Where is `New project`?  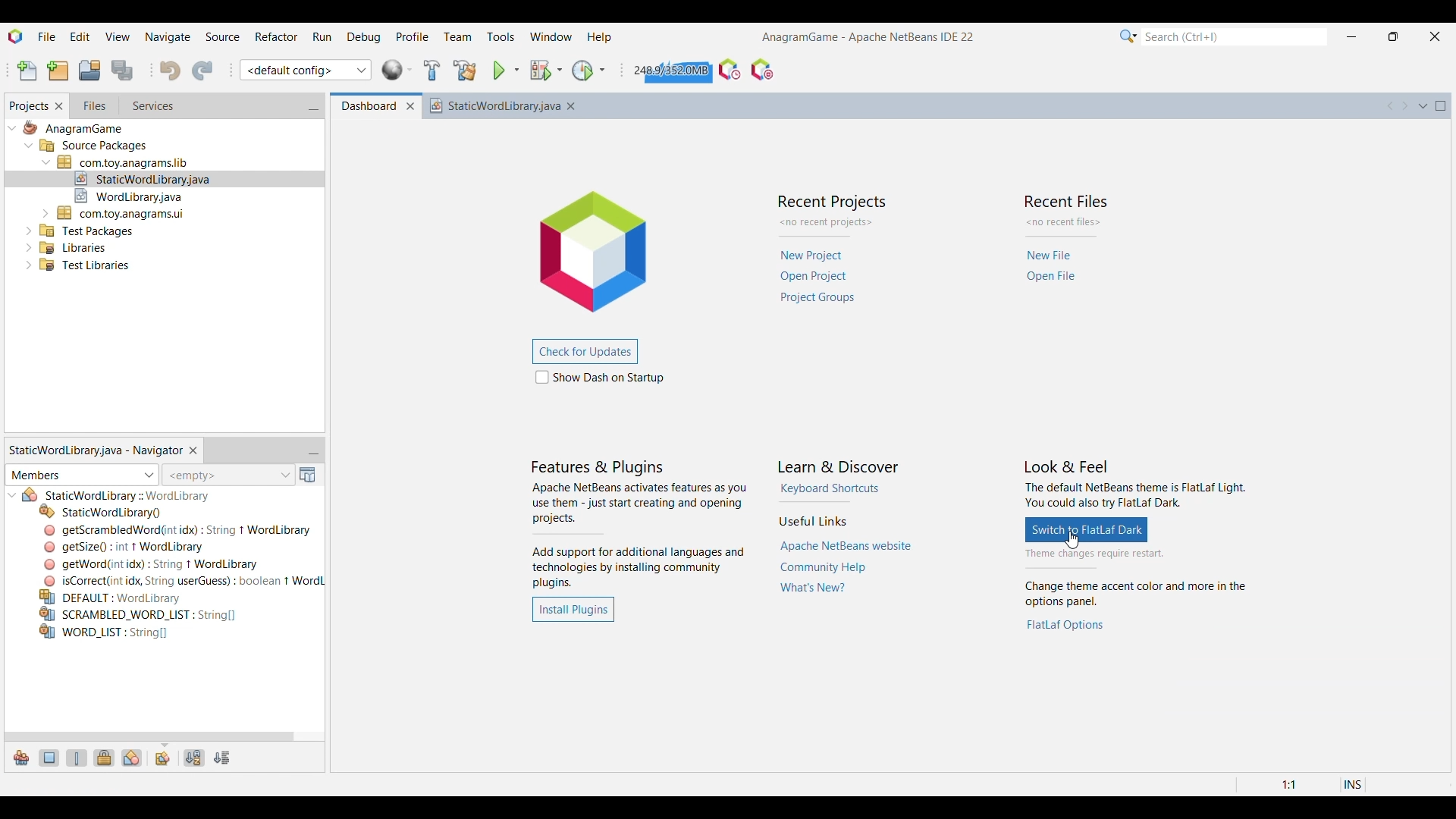
New project is located at coordinates (58, 71).